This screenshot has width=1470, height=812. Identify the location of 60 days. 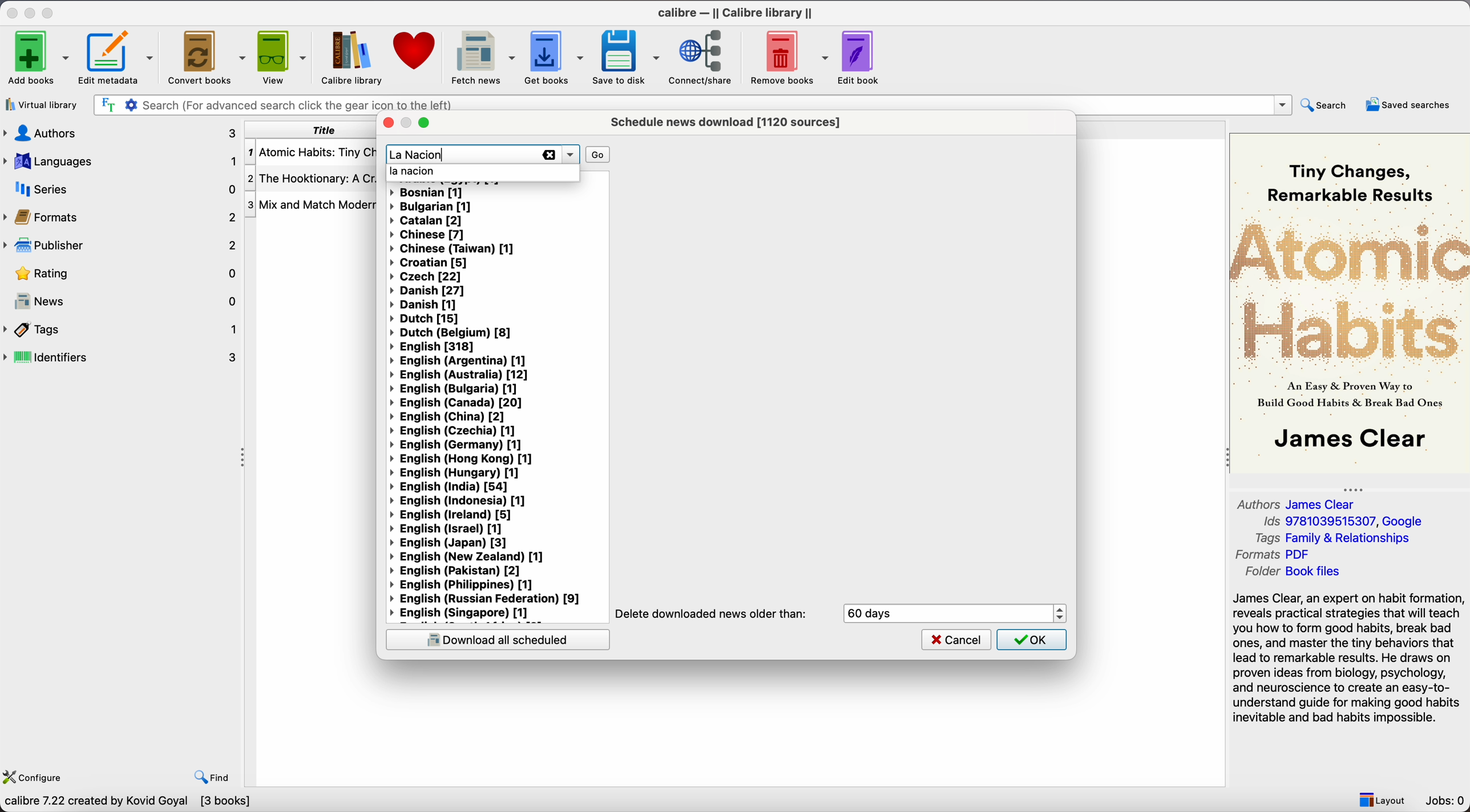
(875, 613).